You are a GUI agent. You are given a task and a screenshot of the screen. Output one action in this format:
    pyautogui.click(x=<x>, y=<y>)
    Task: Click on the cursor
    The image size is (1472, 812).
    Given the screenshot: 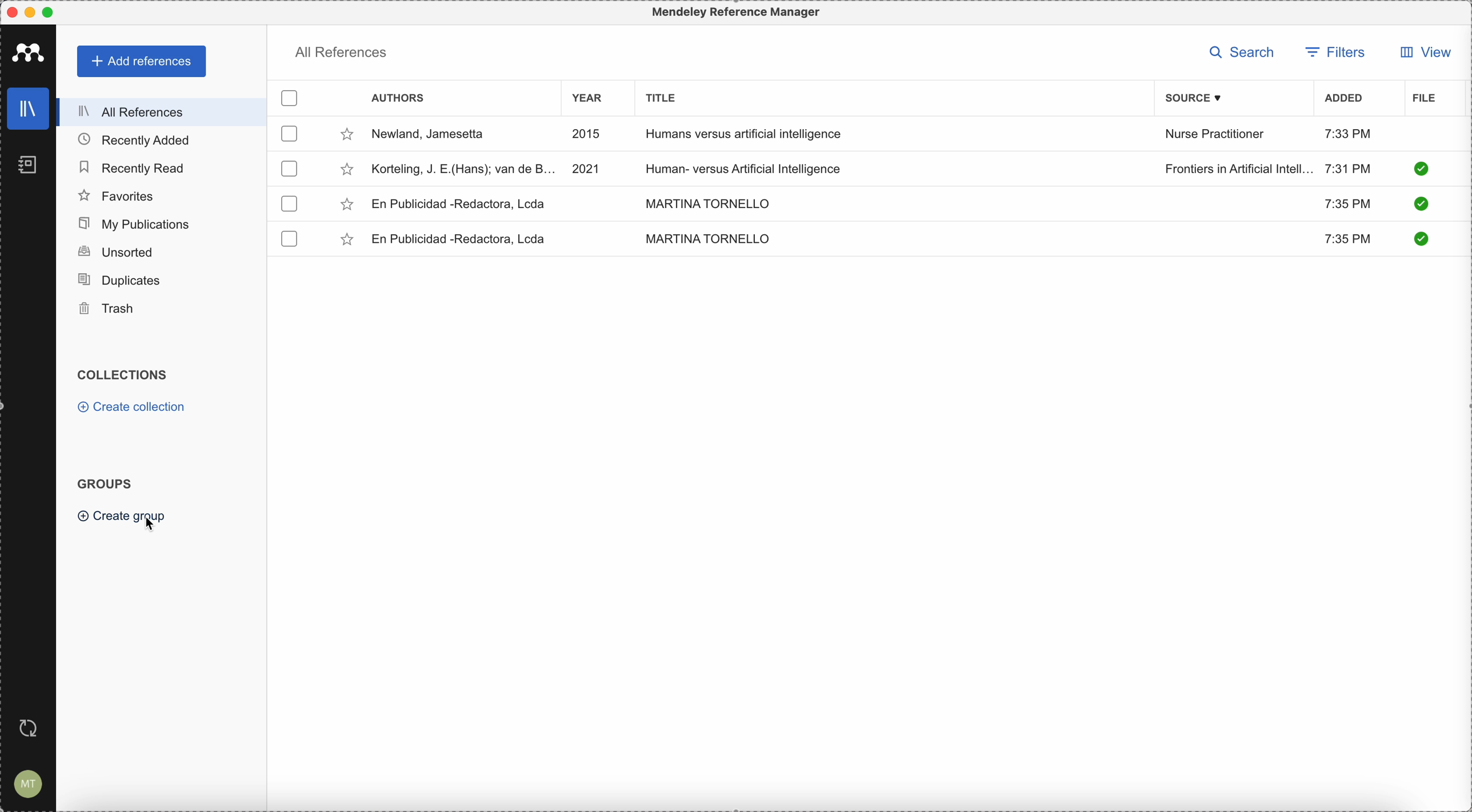 What is the action you would take?
    pyautogui.click(x=154, y=522)
    